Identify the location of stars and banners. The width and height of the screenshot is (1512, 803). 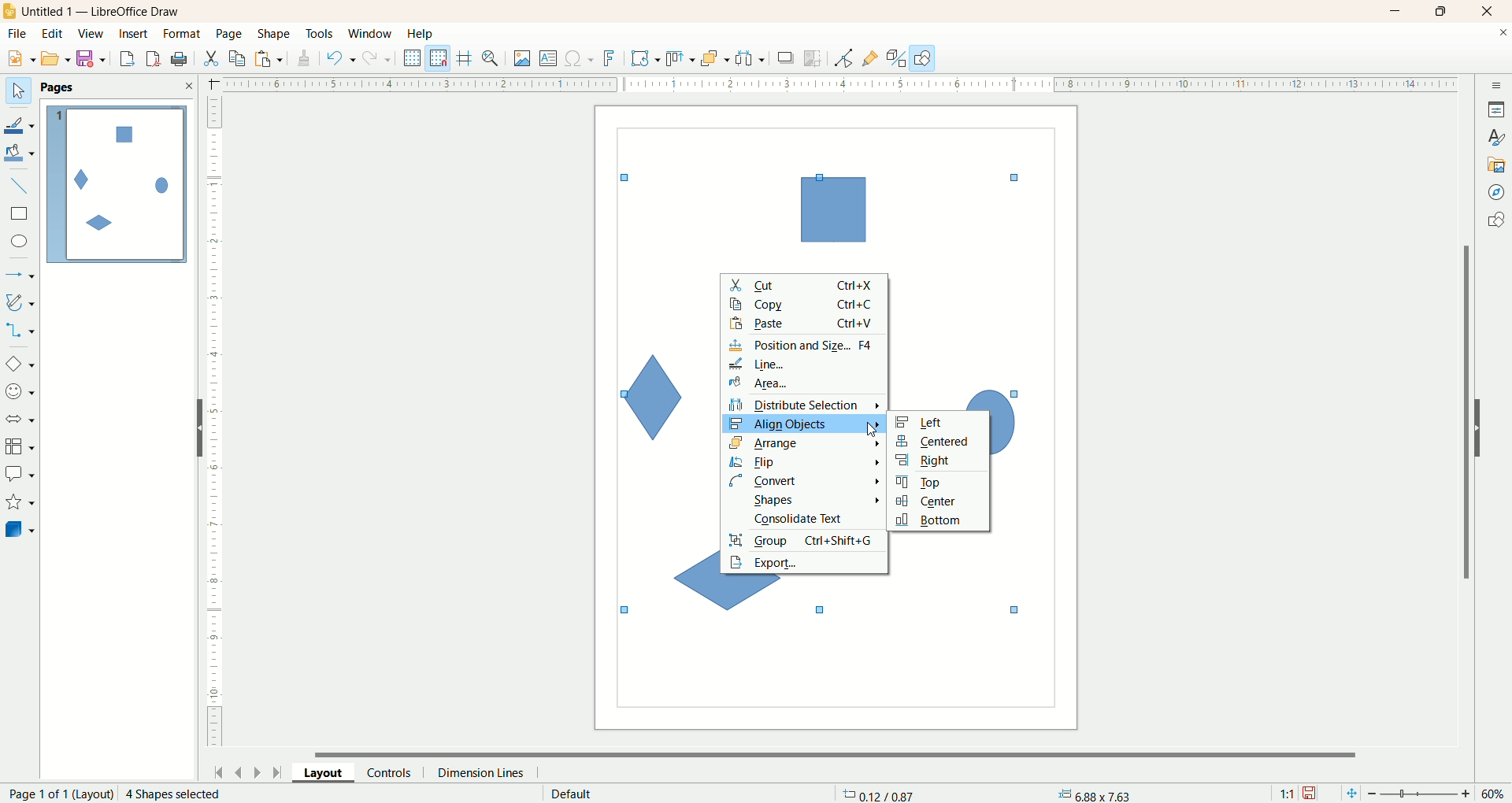
(19, 501).